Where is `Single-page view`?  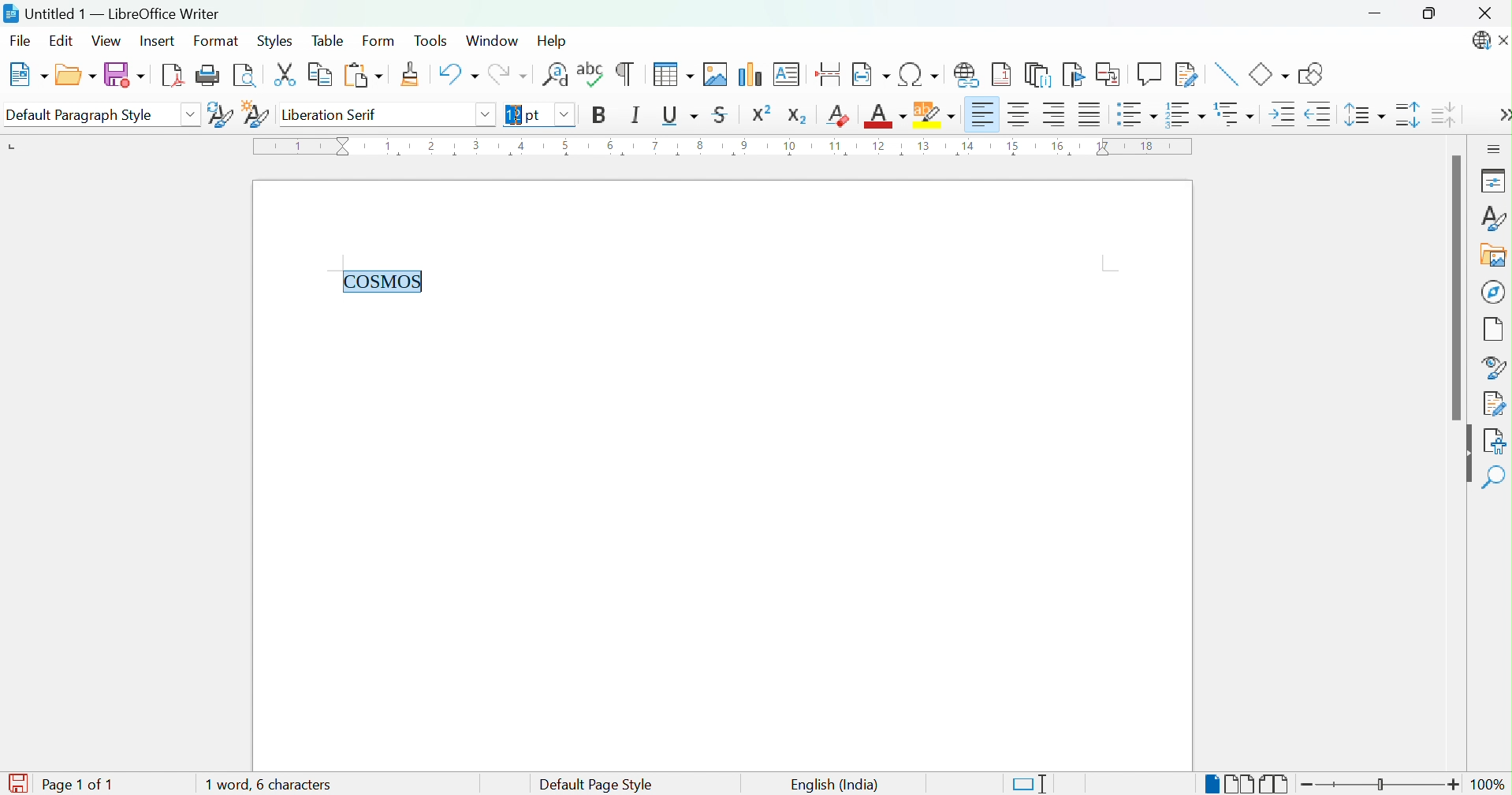 Single-page view is located at coordinates (1211, 786).